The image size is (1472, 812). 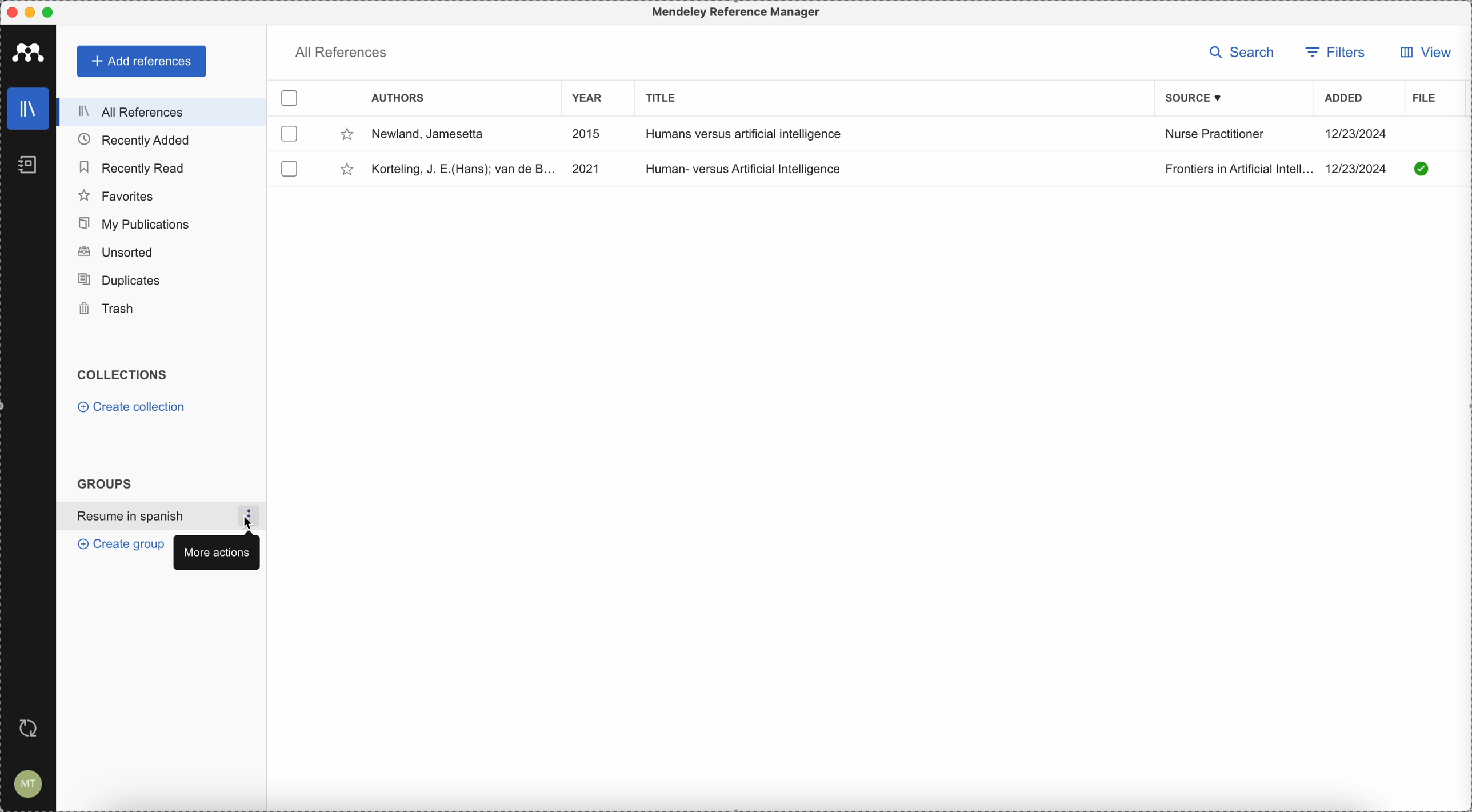 What do you see at coordinates (118, 194) in the screenshot?
I see `favorites` at bounding box center [118, 194].